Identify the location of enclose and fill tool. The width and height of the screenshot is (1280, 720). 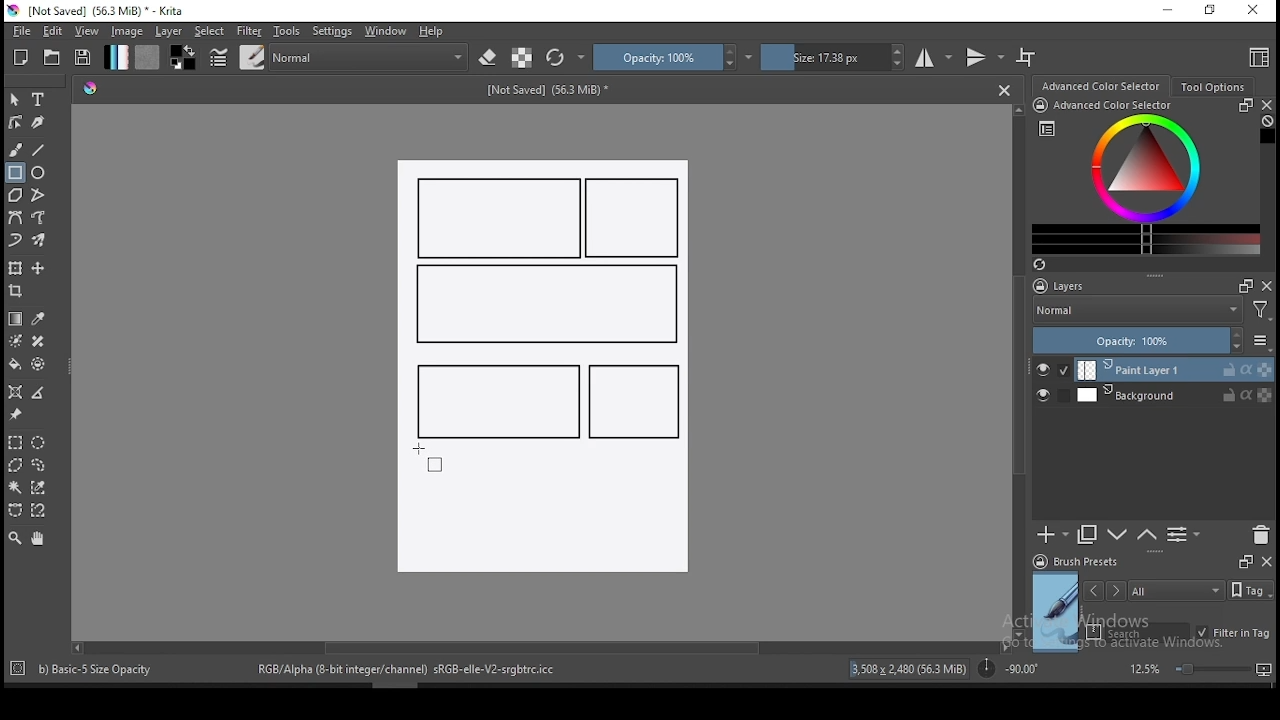
(38, 364).